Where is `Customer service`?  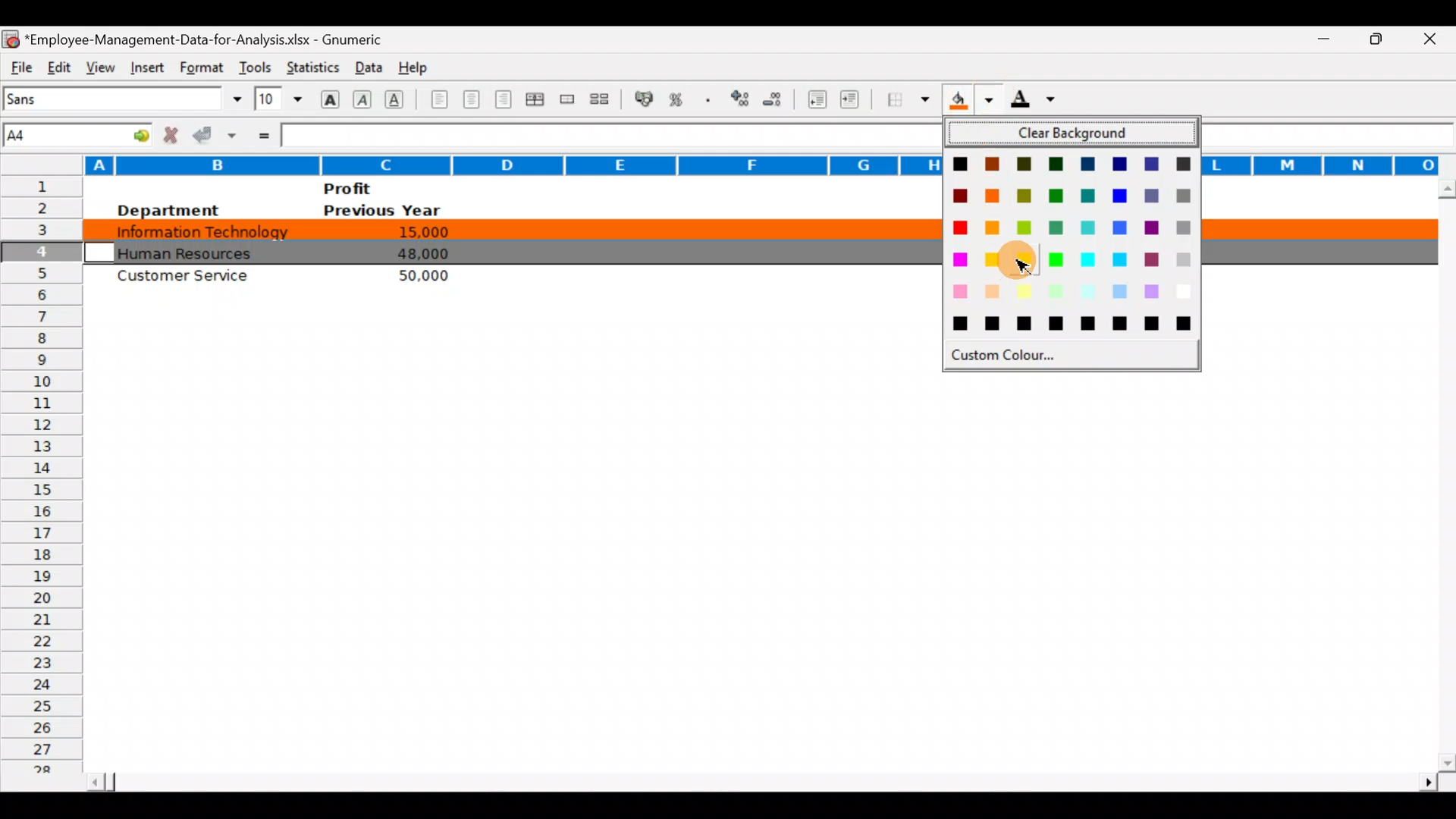 Customer service is located at coordinates (190, 279).